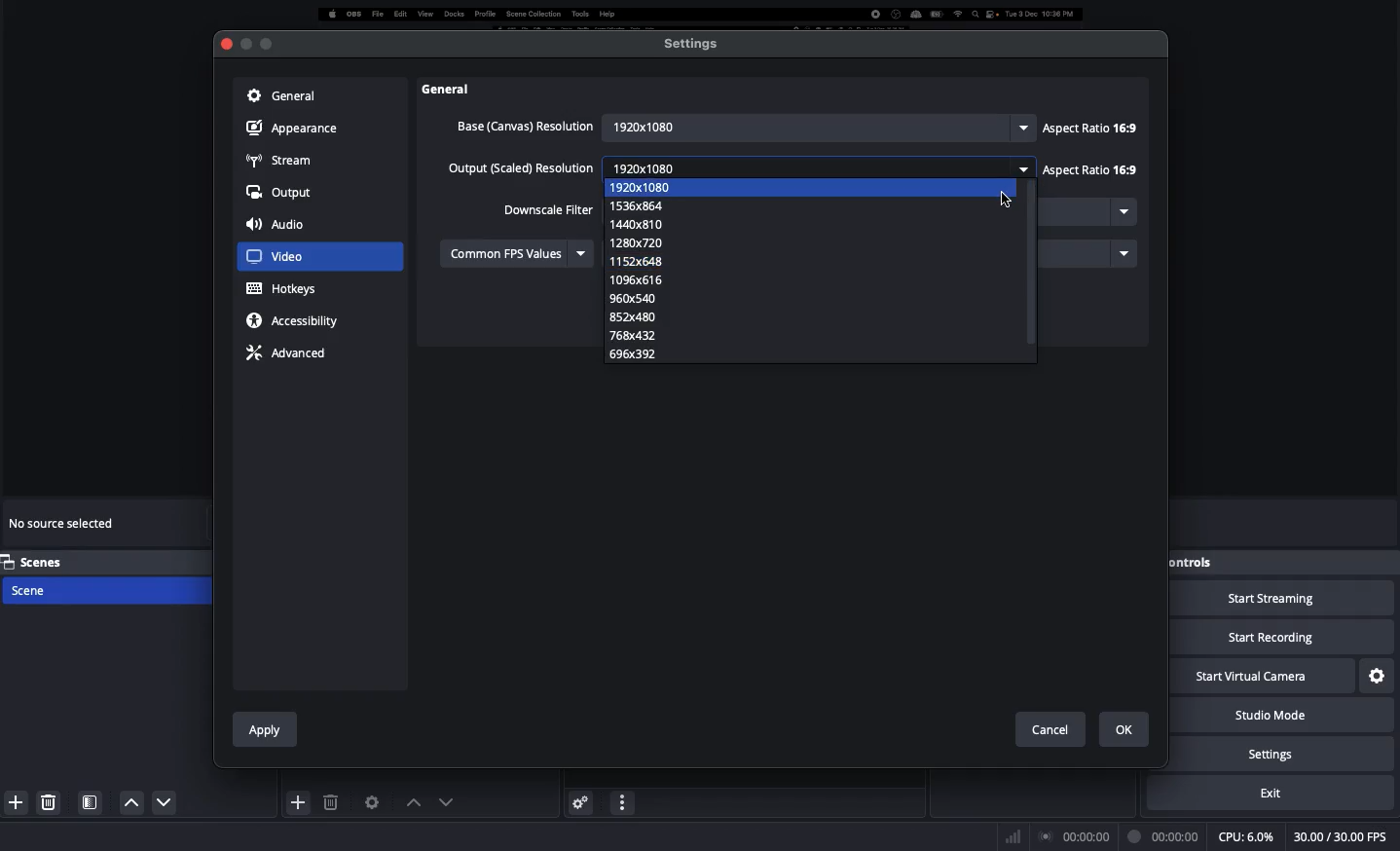 The height and width of the screenshot is (851, 1400). Describe the element at coordinates (1125, 729) in the screenshot. I see `Ok` at that location.